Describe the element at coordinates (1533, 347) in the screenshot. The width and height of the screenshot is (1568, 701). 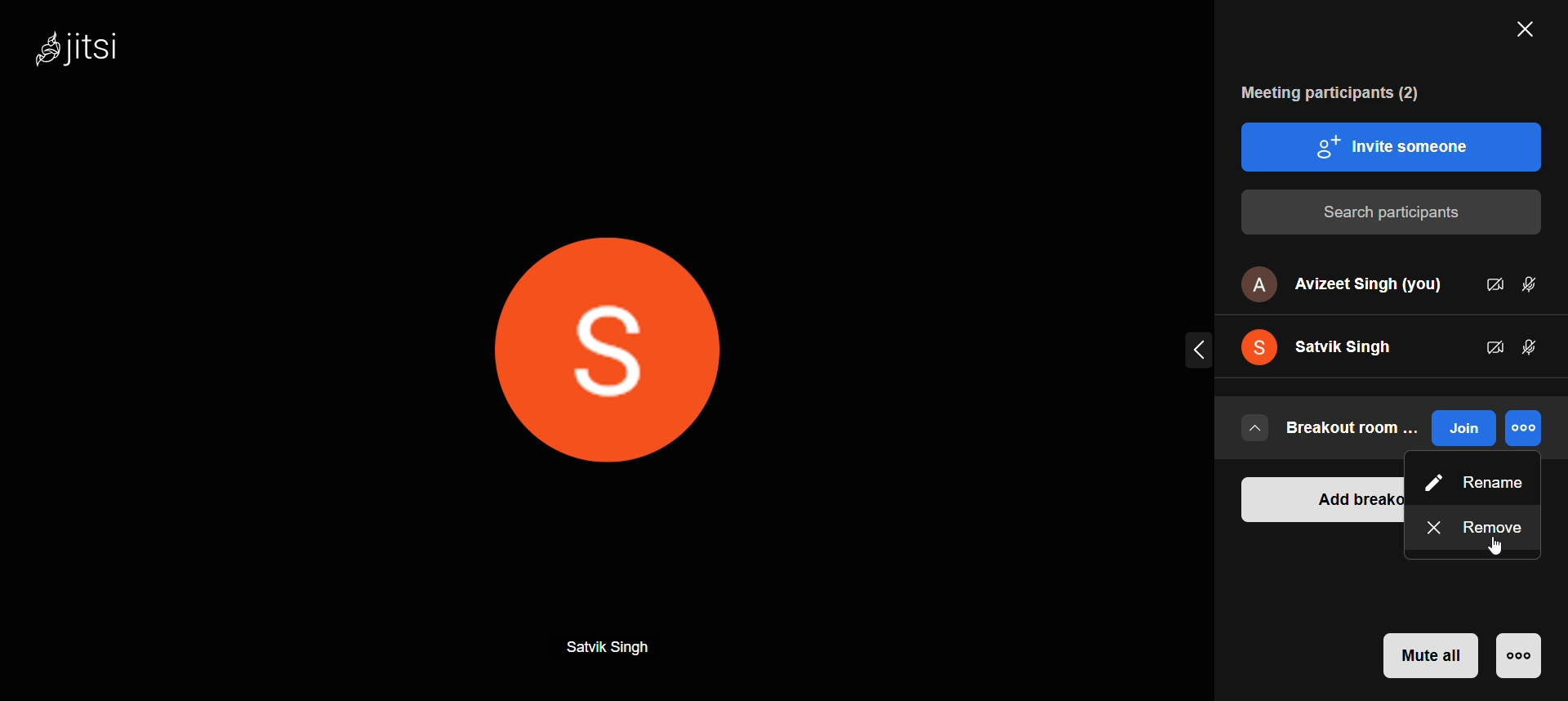
I see `mic status` at that location.